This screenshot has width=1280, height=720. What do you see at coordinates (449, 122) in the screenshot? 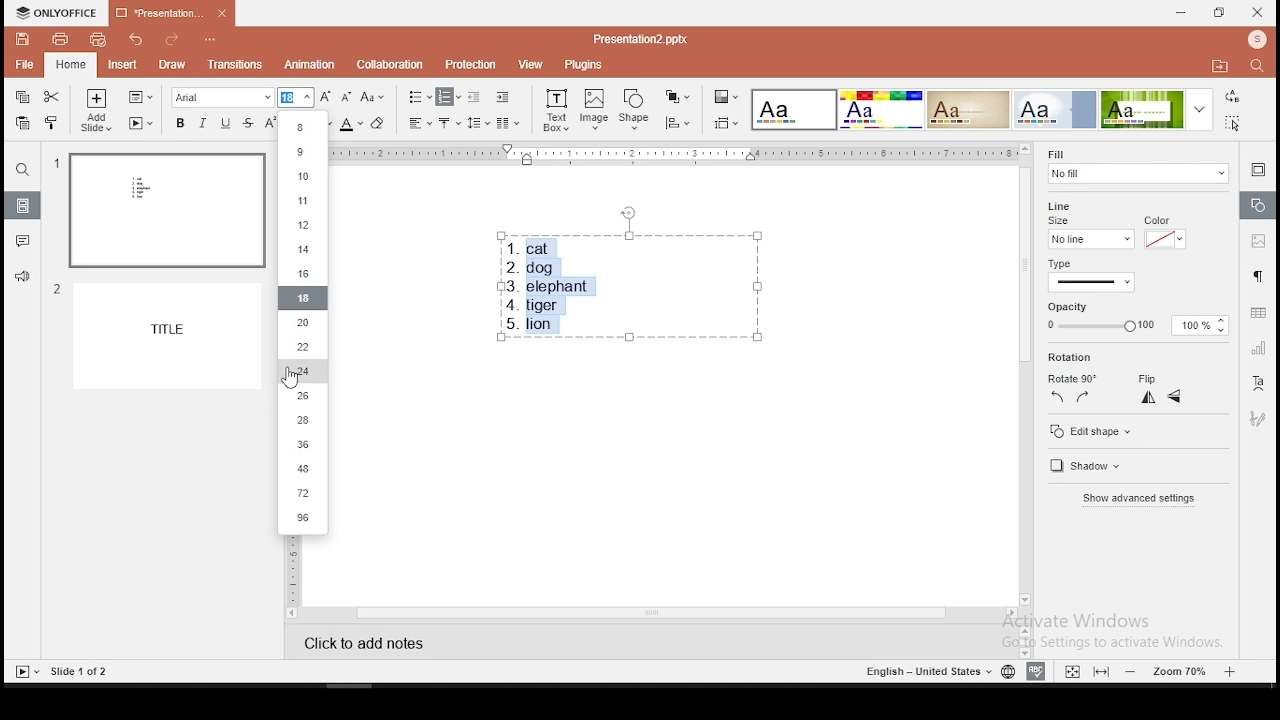
I see `vertical alignment` at bounding box center [449, 122].